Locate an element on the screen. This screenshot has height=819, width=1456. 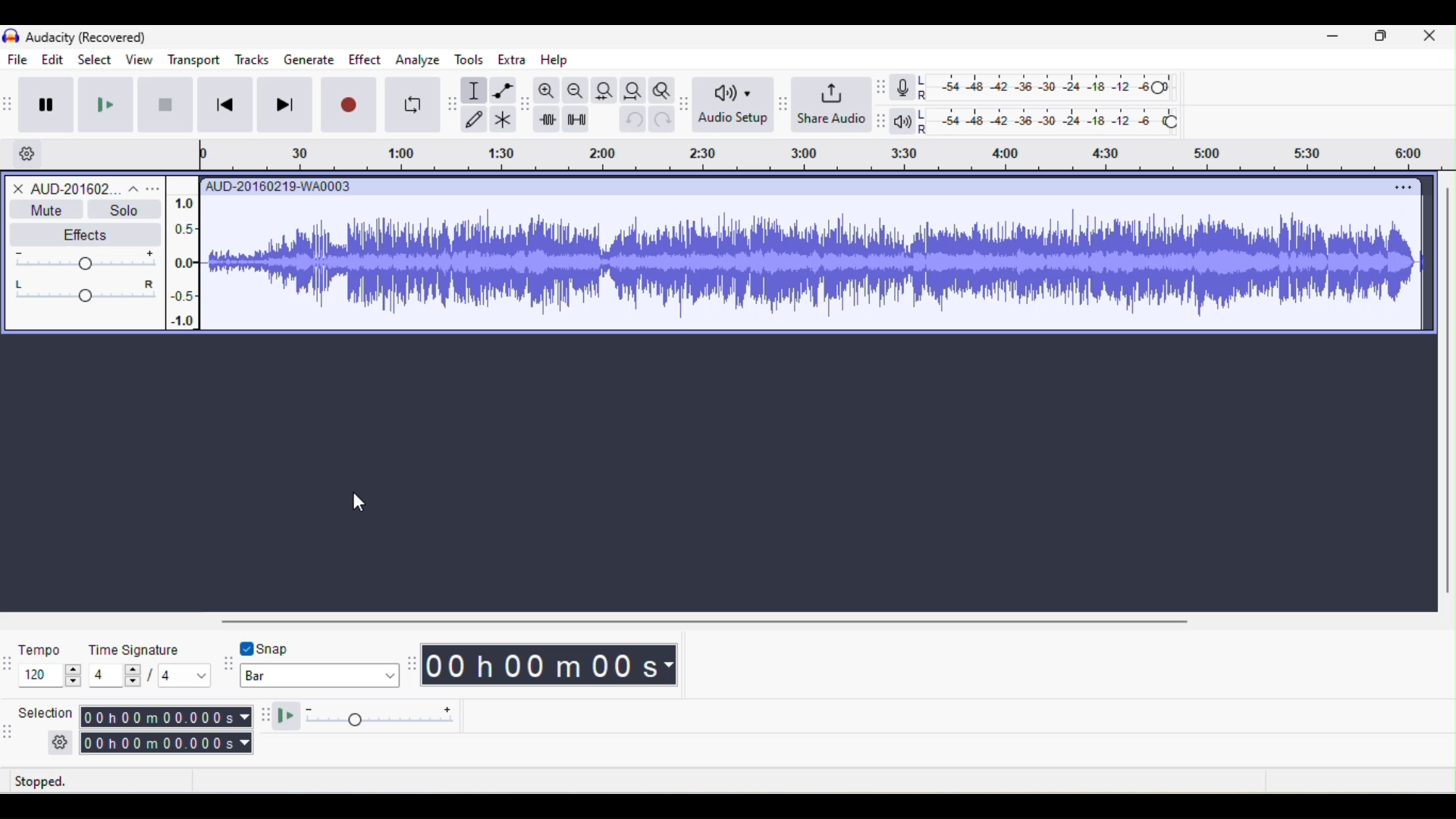
skip to end is located at coordinates (289, 105).